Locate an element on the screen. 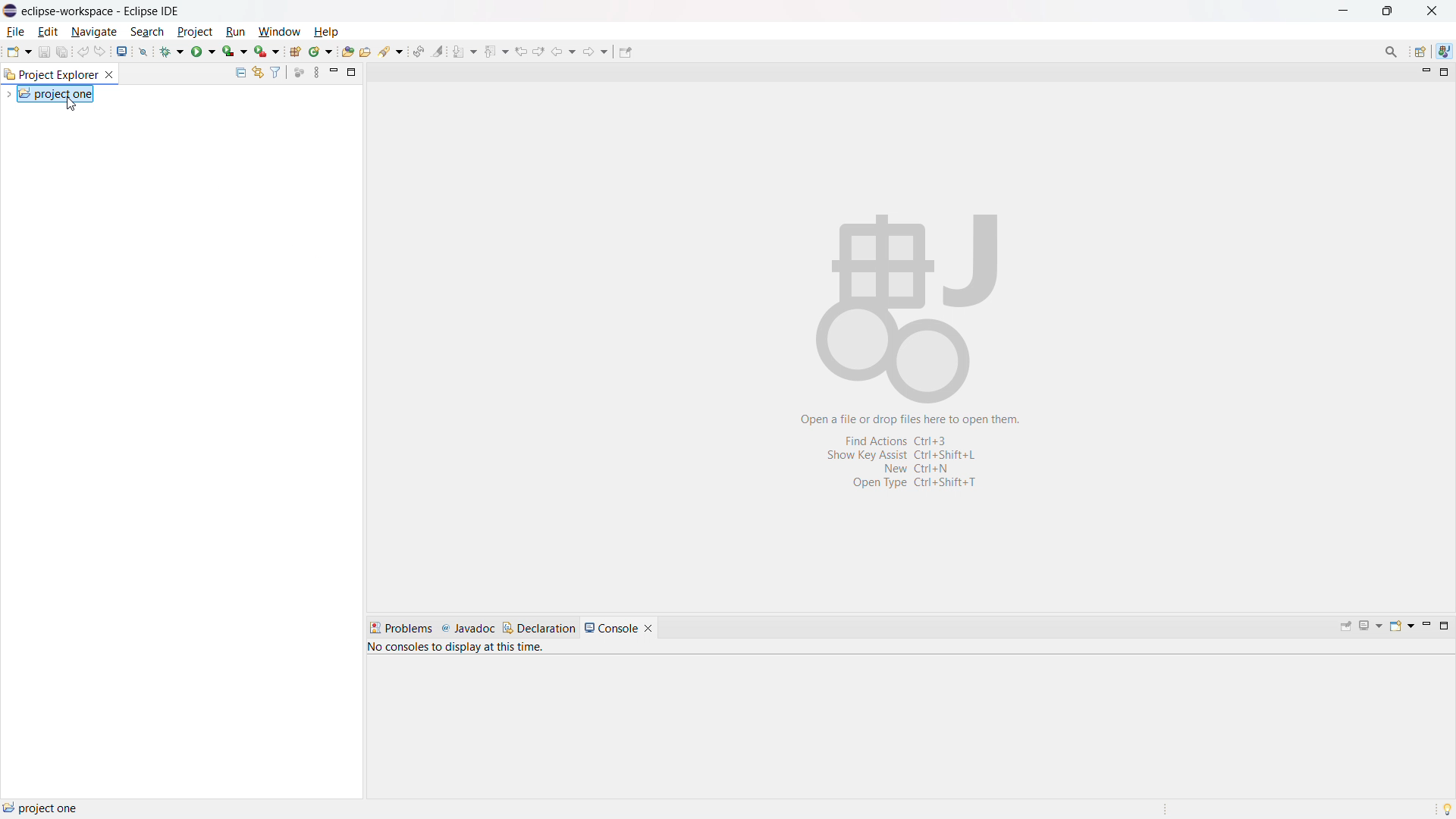 The image size is (1456, 819). open perspective is located at coordinates (1421, 52).